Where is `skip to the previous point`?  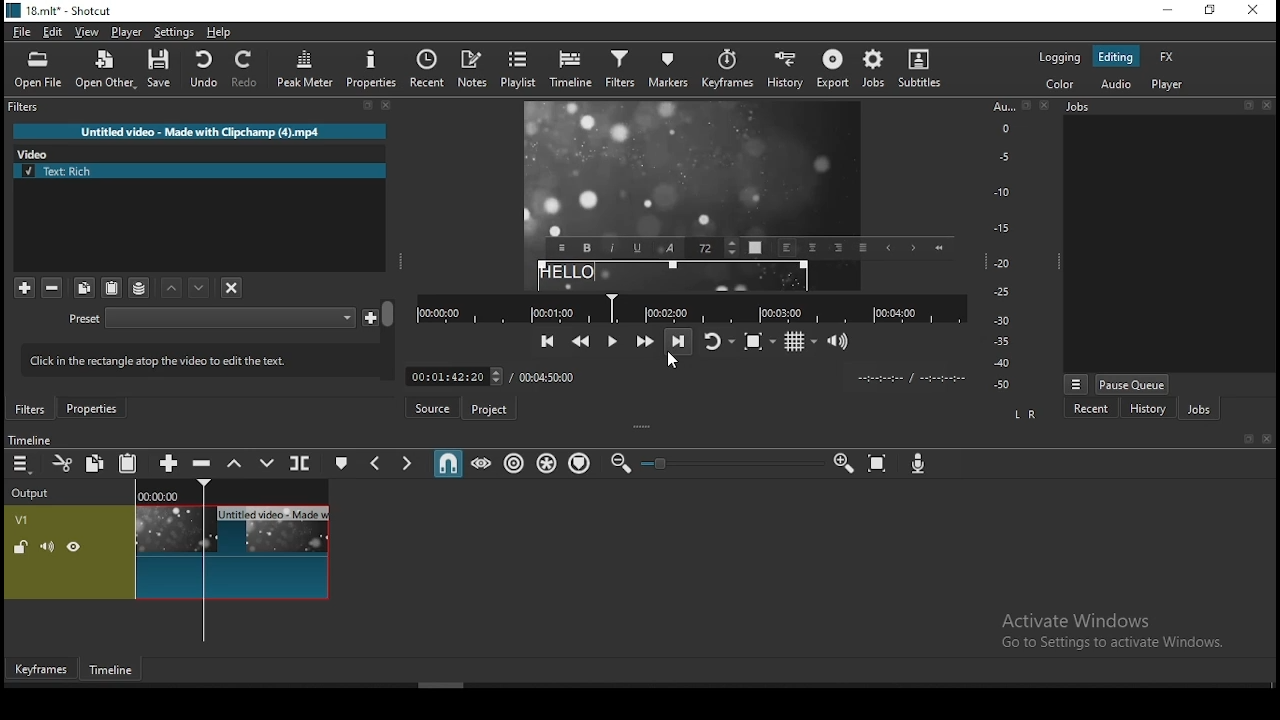
skip to the previous point is located at coordinates (548, 341).